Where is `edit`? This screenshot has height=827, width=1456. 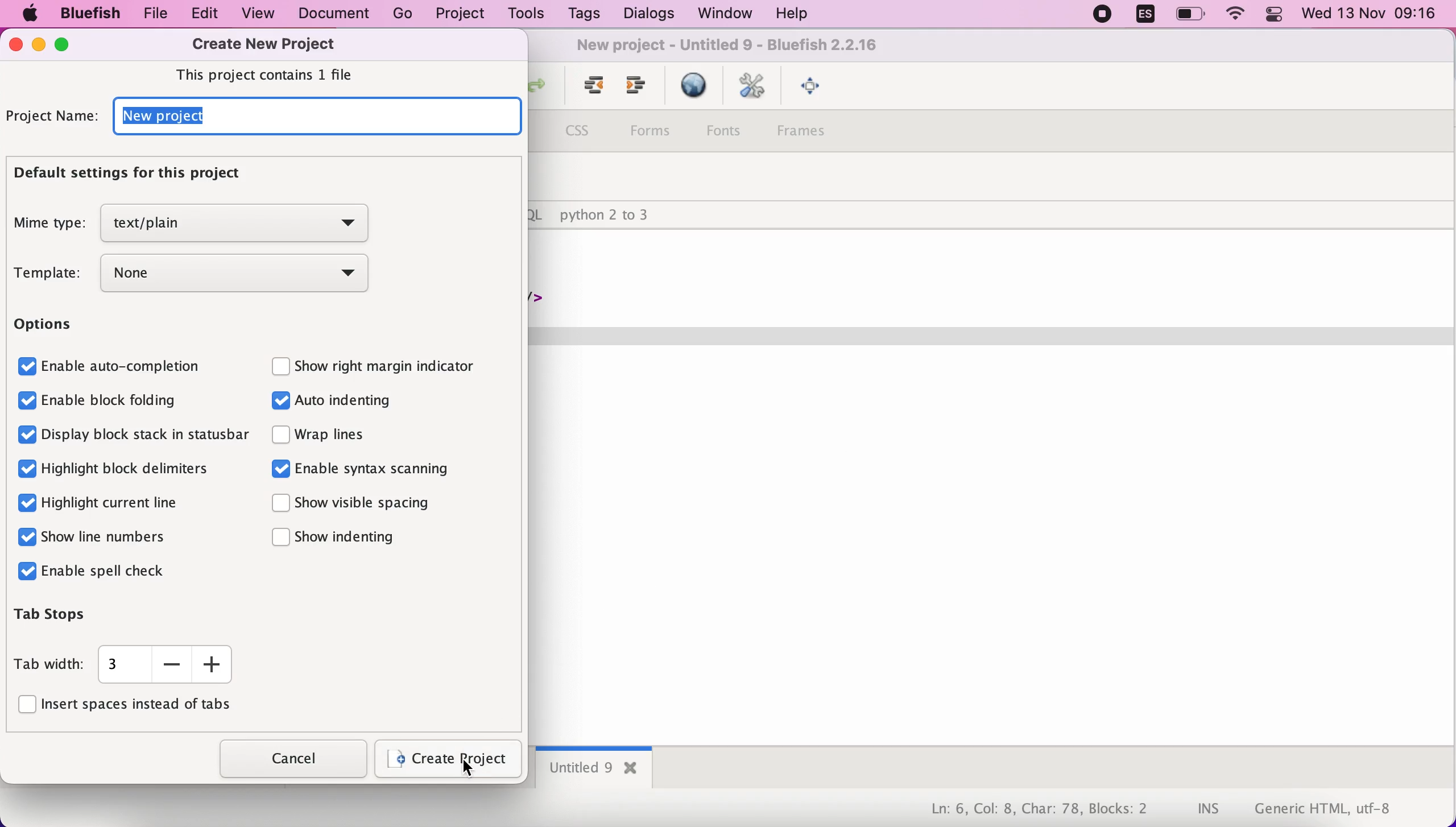
edit is located at coordinates (199, 14).